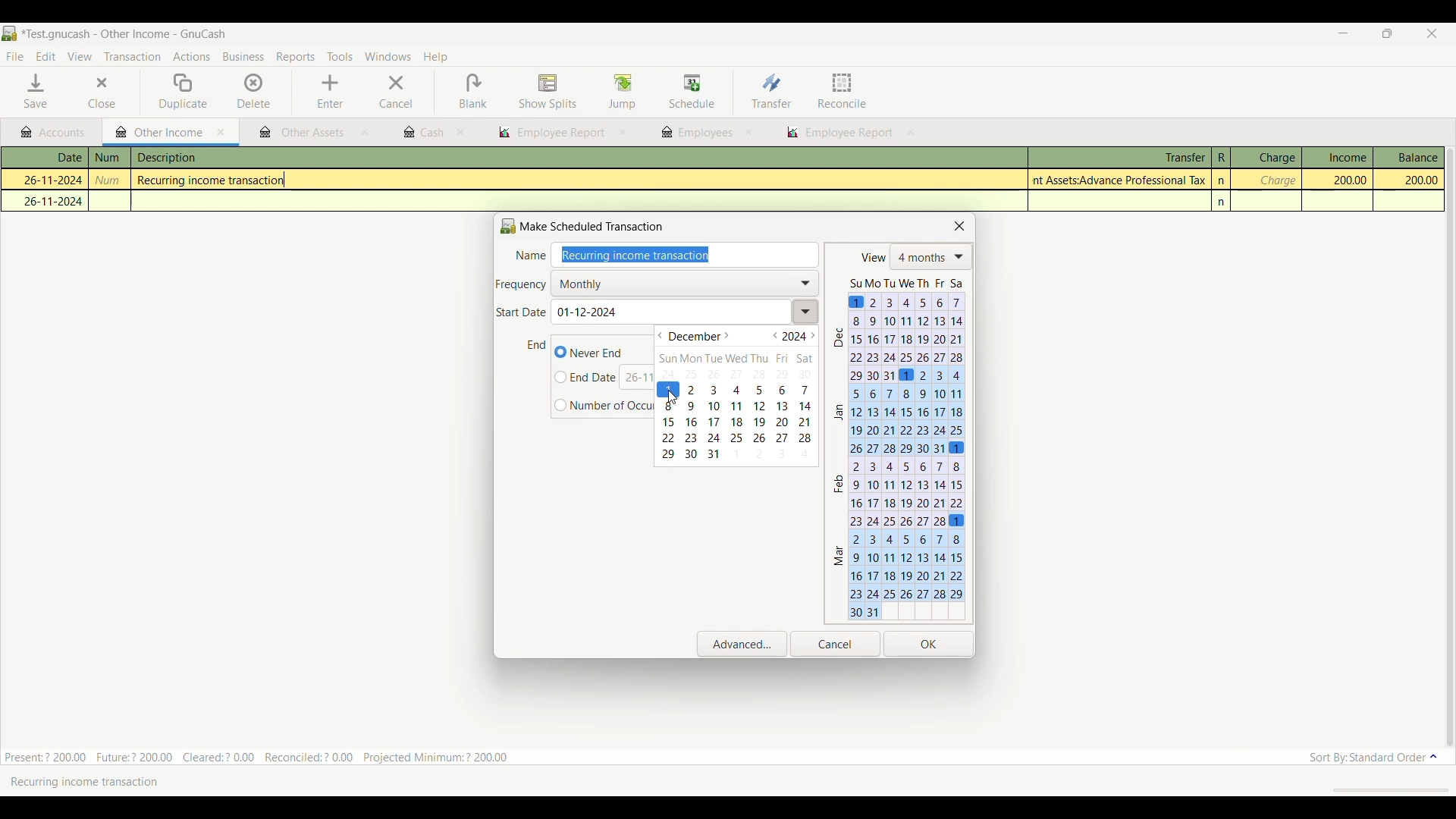 The image size is (1456, 819). What do you see at coordinates (1337, 157) in the screenshot?
I see `Income column` at bounding box center [1337, 157].